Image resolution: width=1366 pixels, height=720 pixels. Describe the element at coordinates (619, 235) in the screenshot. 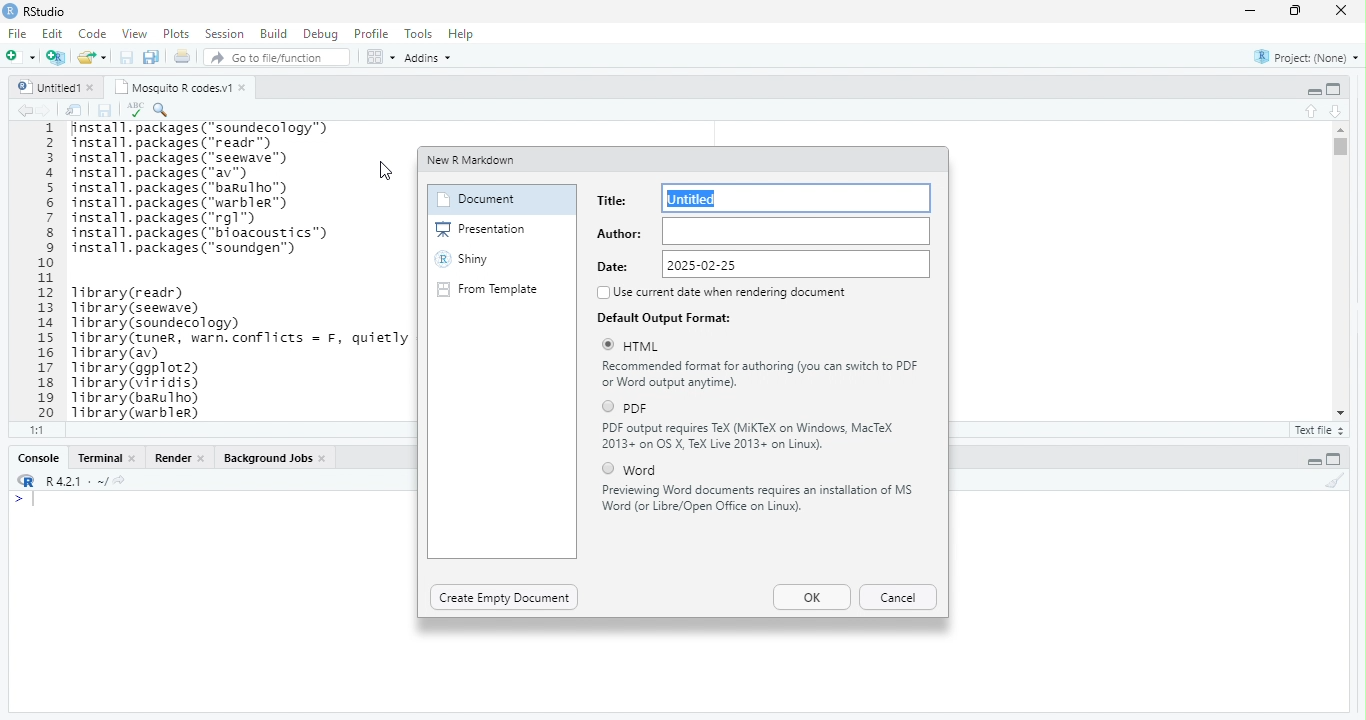

I see `Author:` at that location.